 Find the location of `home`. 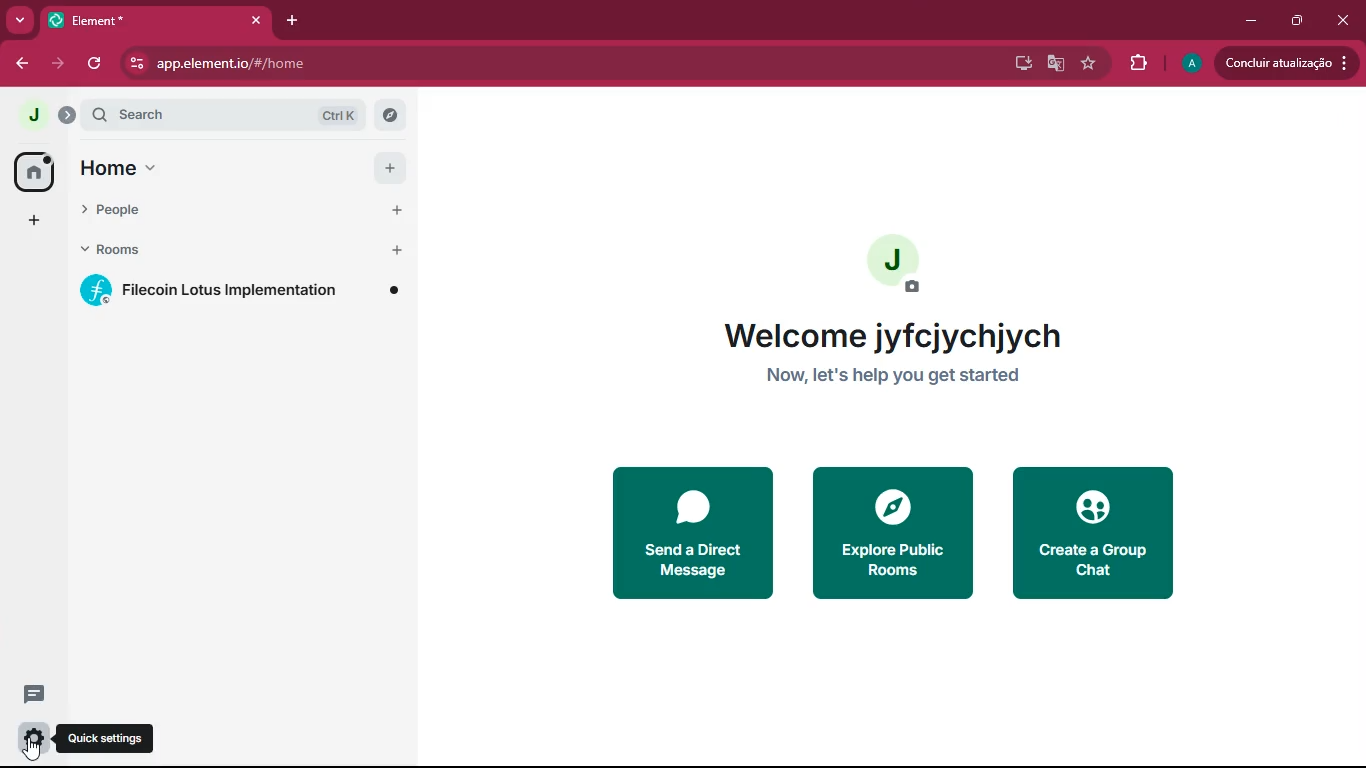

home is located at coordinates (137, 167).